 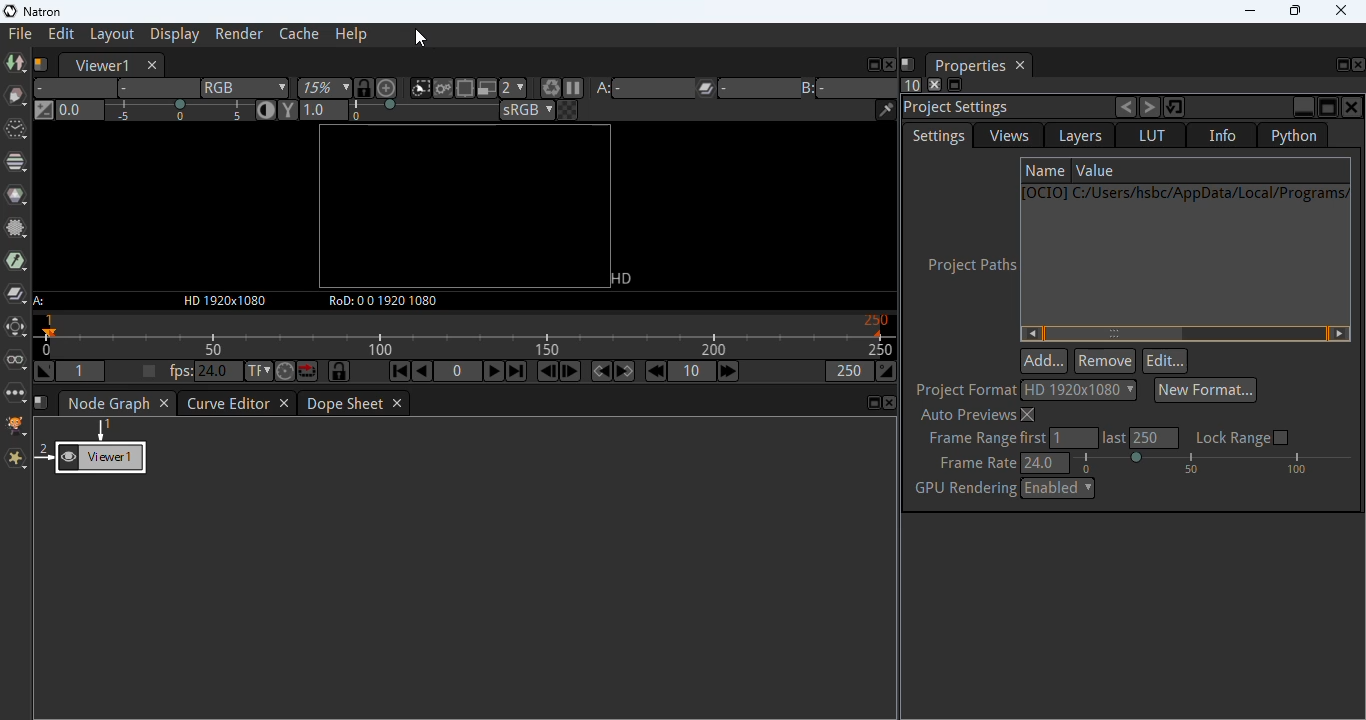 What do you see at coordinates (1341, 10) in the screenshot?
I see `close` at bounding box center [1341, 10].